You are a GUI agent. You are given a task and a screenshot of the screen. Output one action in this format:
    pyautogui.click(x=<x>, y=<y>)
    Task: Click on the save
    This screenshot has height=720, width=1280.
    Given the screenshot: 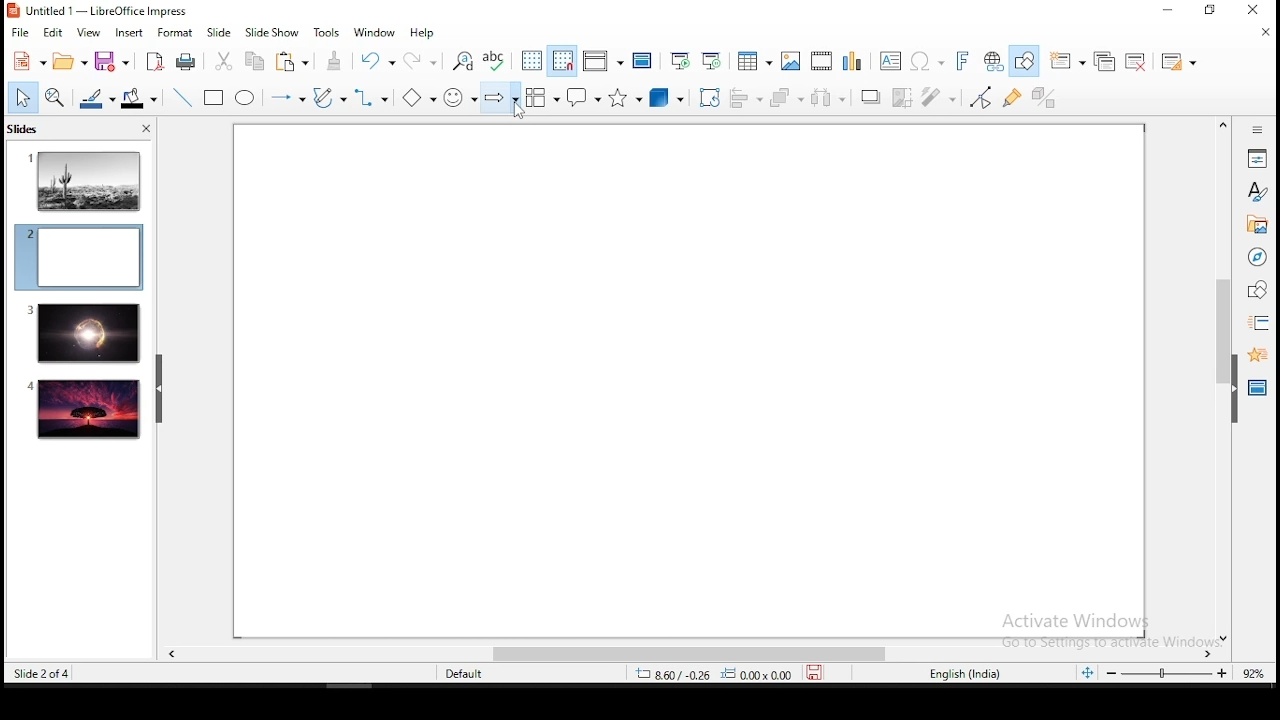 What is the action you would take?
    pyautogui.click(x=818, y=673)
    